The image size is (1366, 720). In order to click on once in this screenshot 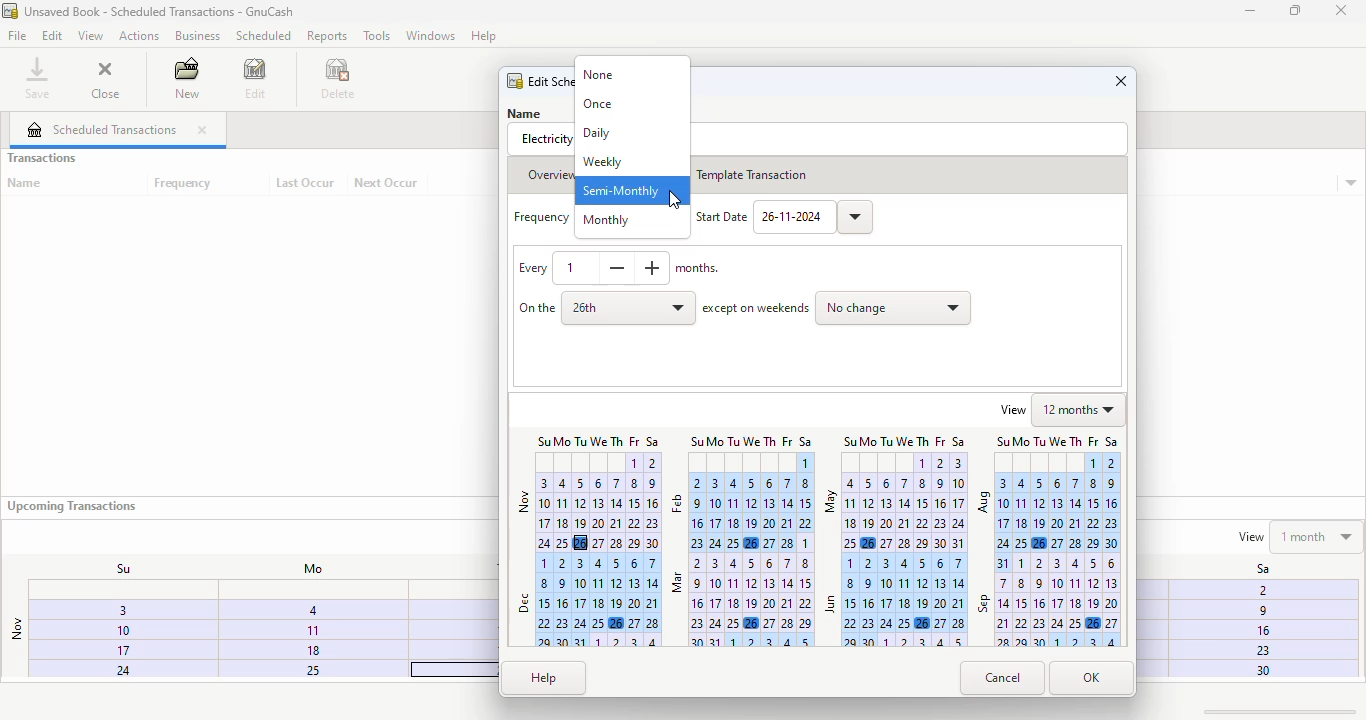, I will do `click(598, 103)`.